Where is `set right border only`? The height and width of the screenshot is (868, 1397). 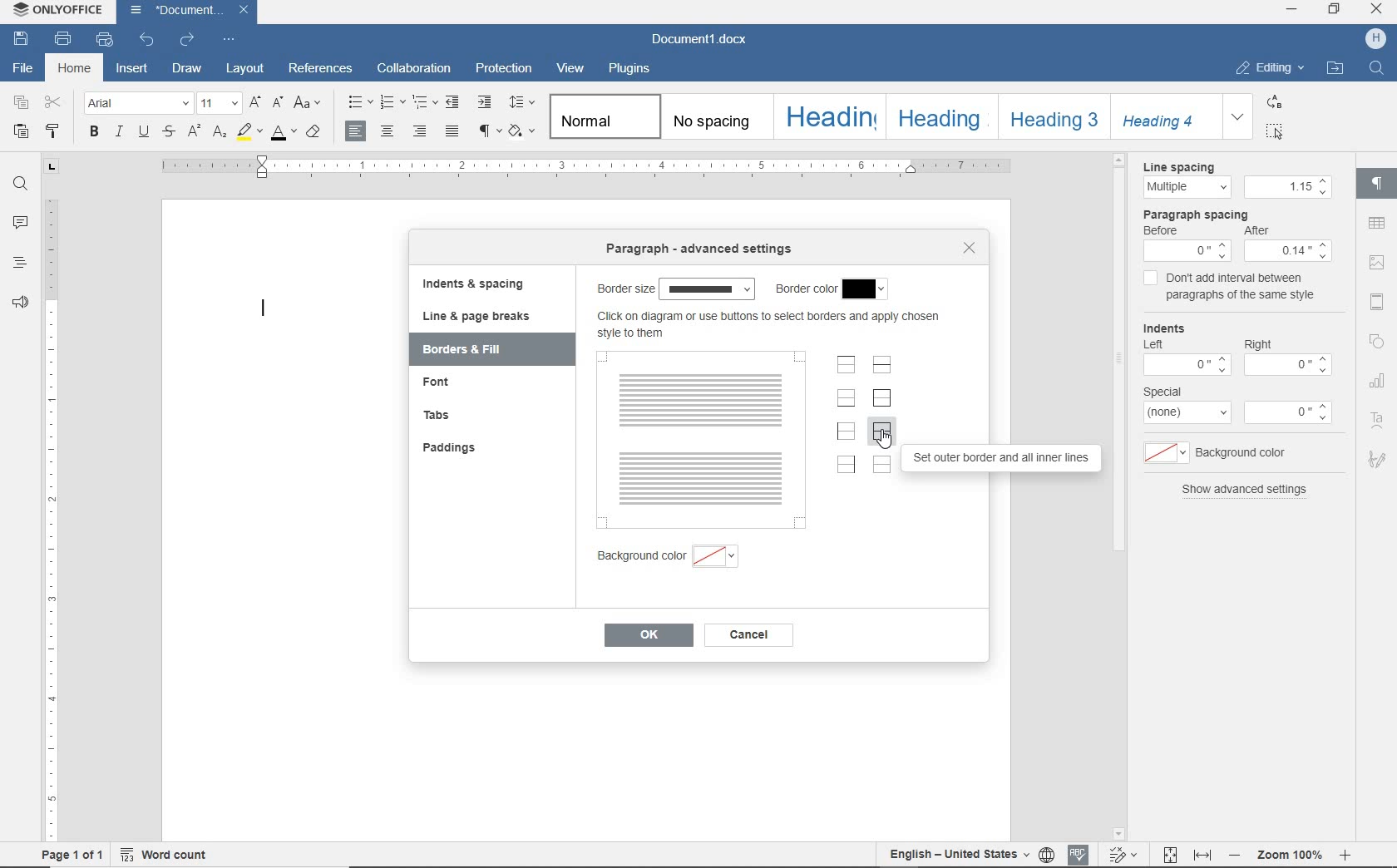
set right border only is located at coordinates (849, 467).